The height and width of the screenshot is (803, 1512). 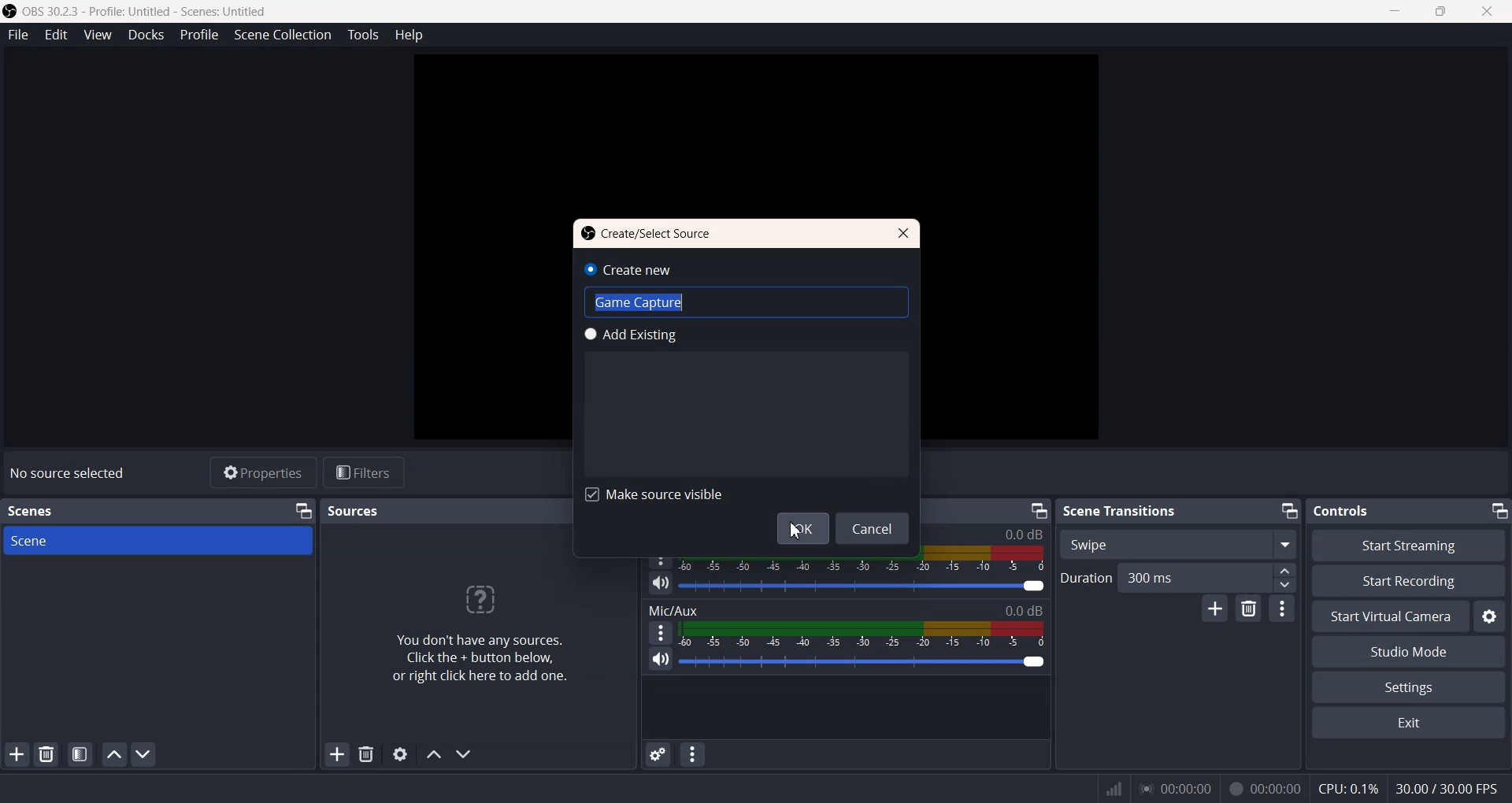 I want to click on Text, so click(x=1121, y=512).